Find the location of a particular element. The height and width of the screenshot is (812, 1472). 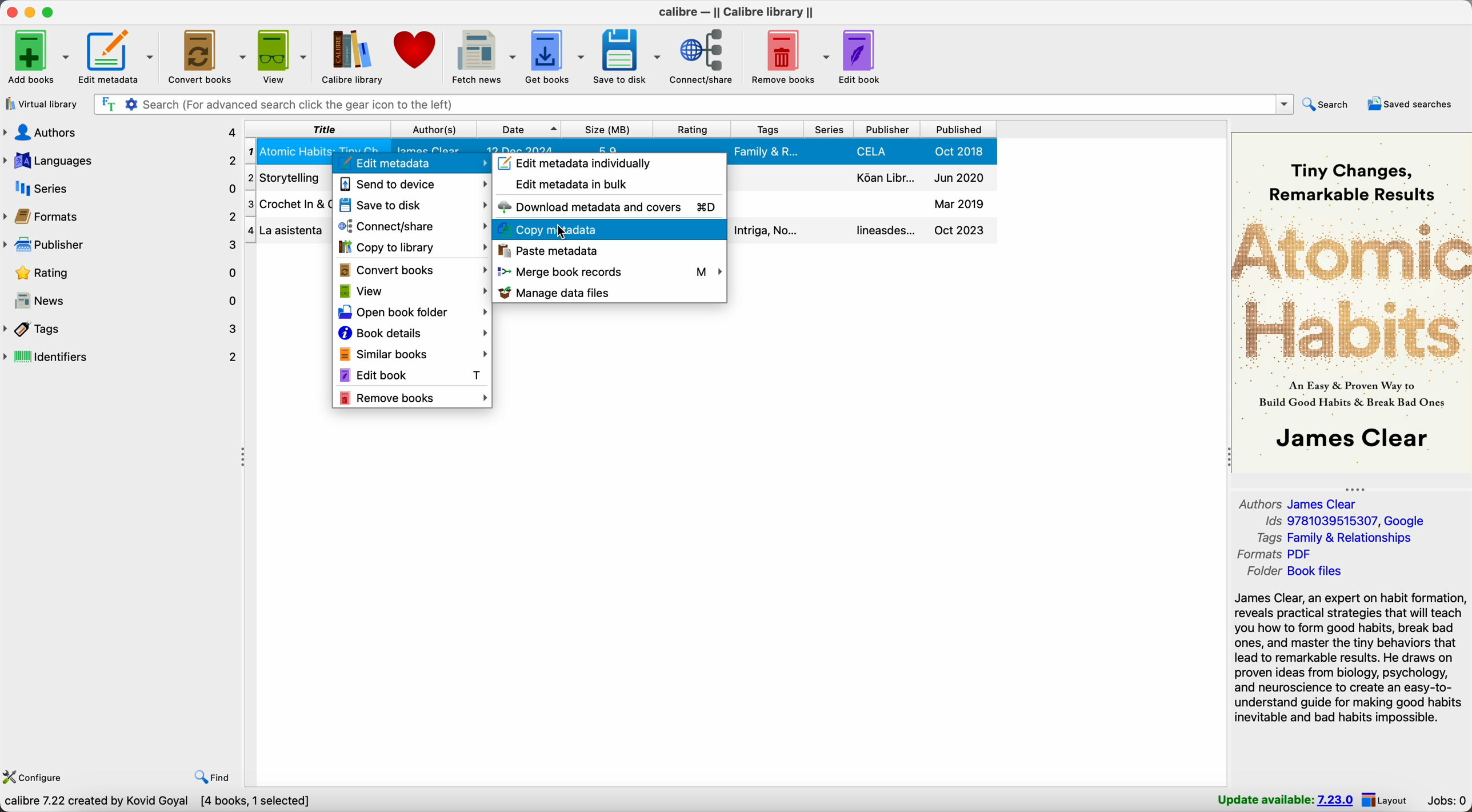

virtual library is located at coordinates (41, 105).